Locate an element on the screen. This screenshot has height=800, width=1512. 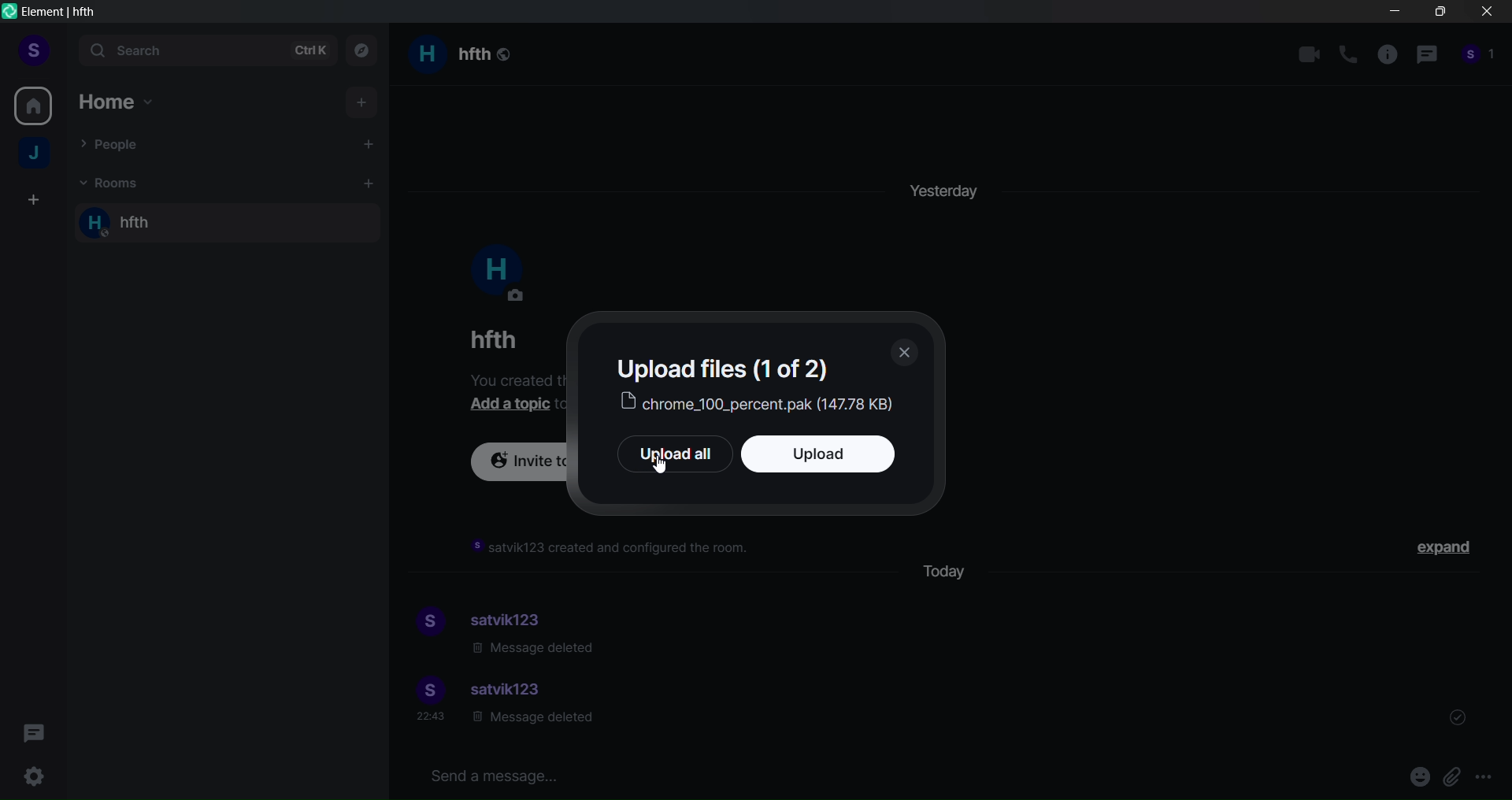
add rome is located at coordinates (365, 183).